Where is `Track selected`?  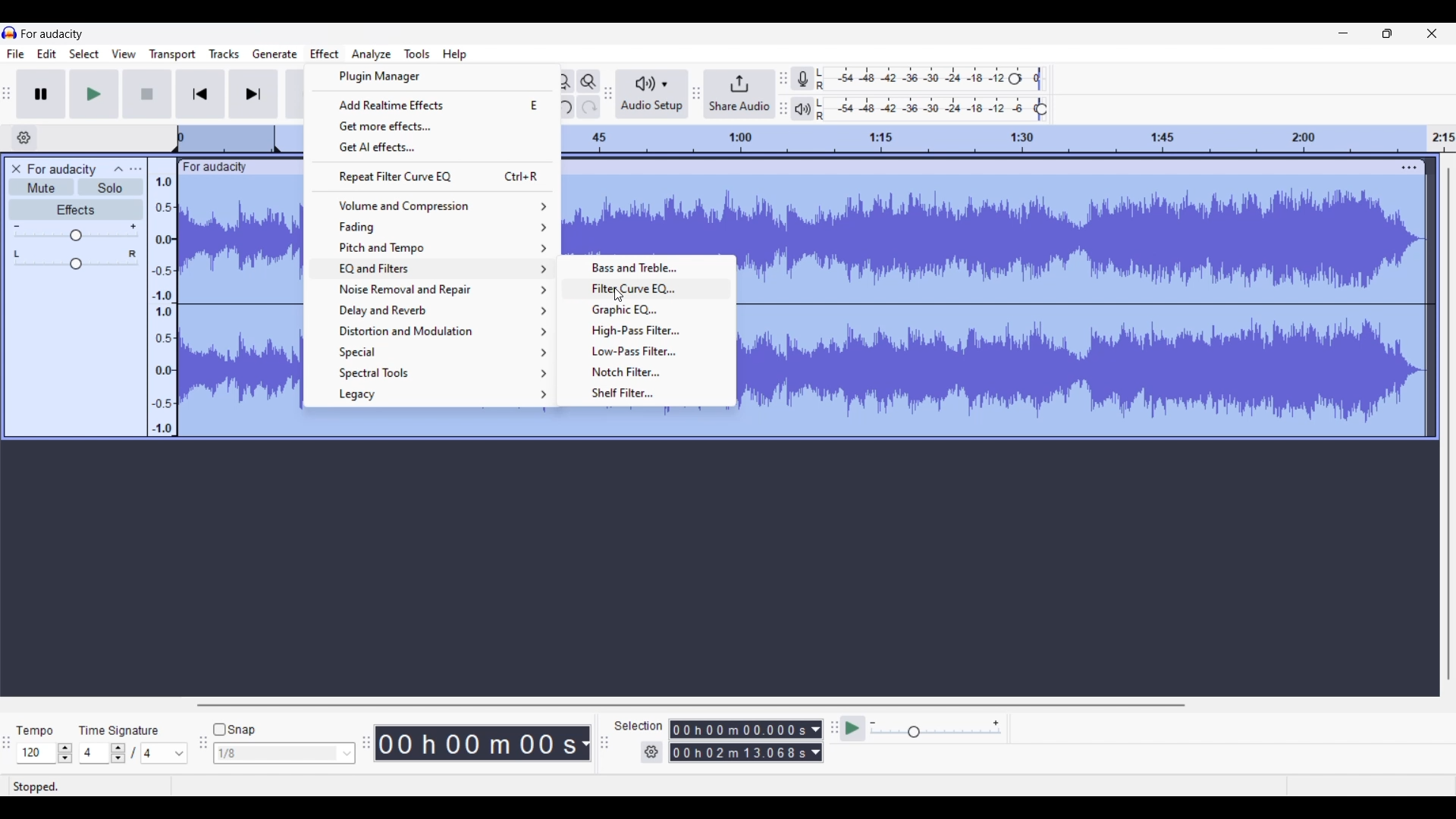 Track selected is located at coordinates (648, 214).